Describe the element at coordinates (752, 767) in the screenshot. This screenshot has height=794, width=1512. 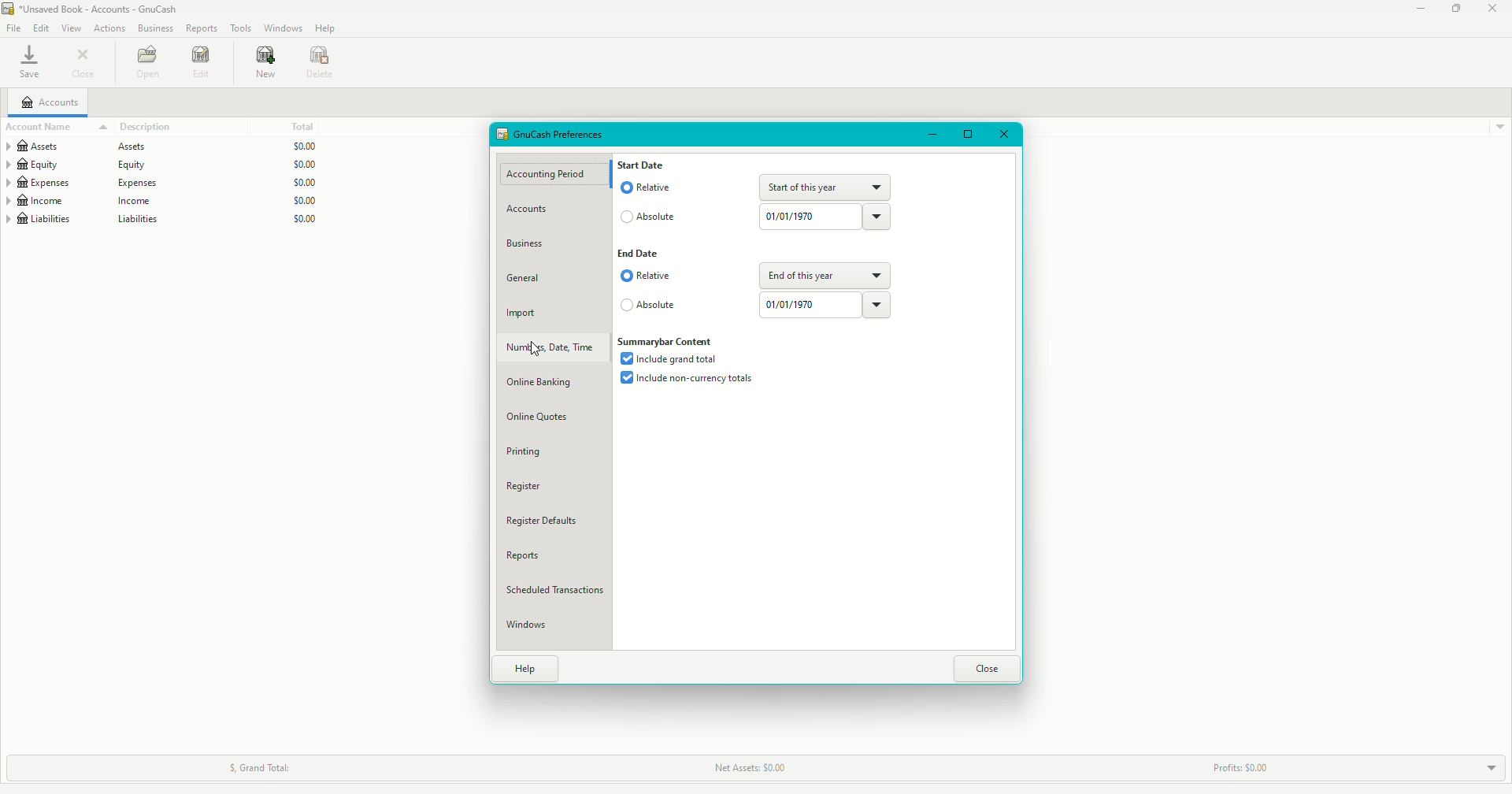
I see `Net Assets` at that location.